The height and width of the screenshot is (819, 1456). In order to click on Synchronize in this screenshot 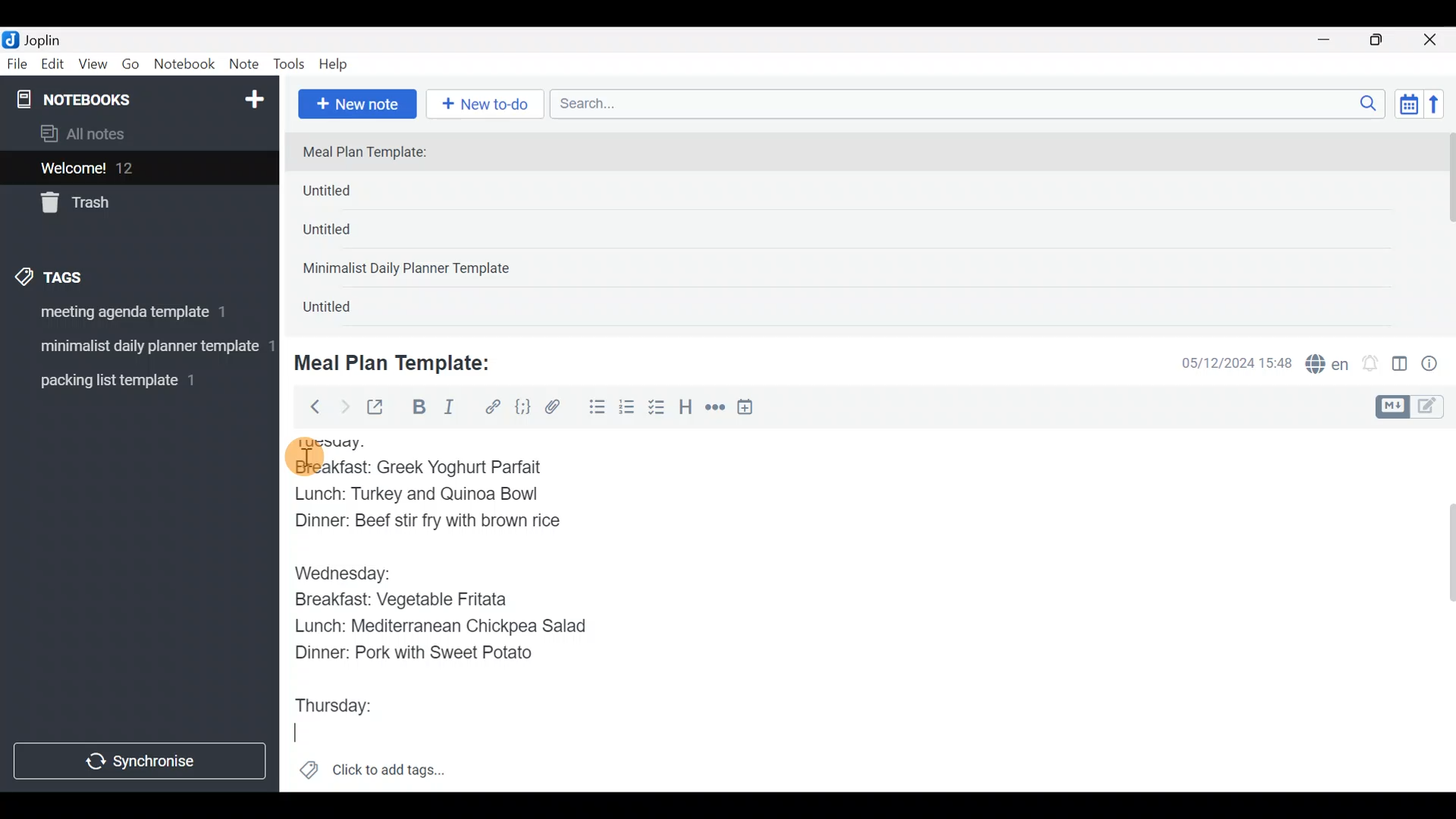, I will do `click(142, 761)`.